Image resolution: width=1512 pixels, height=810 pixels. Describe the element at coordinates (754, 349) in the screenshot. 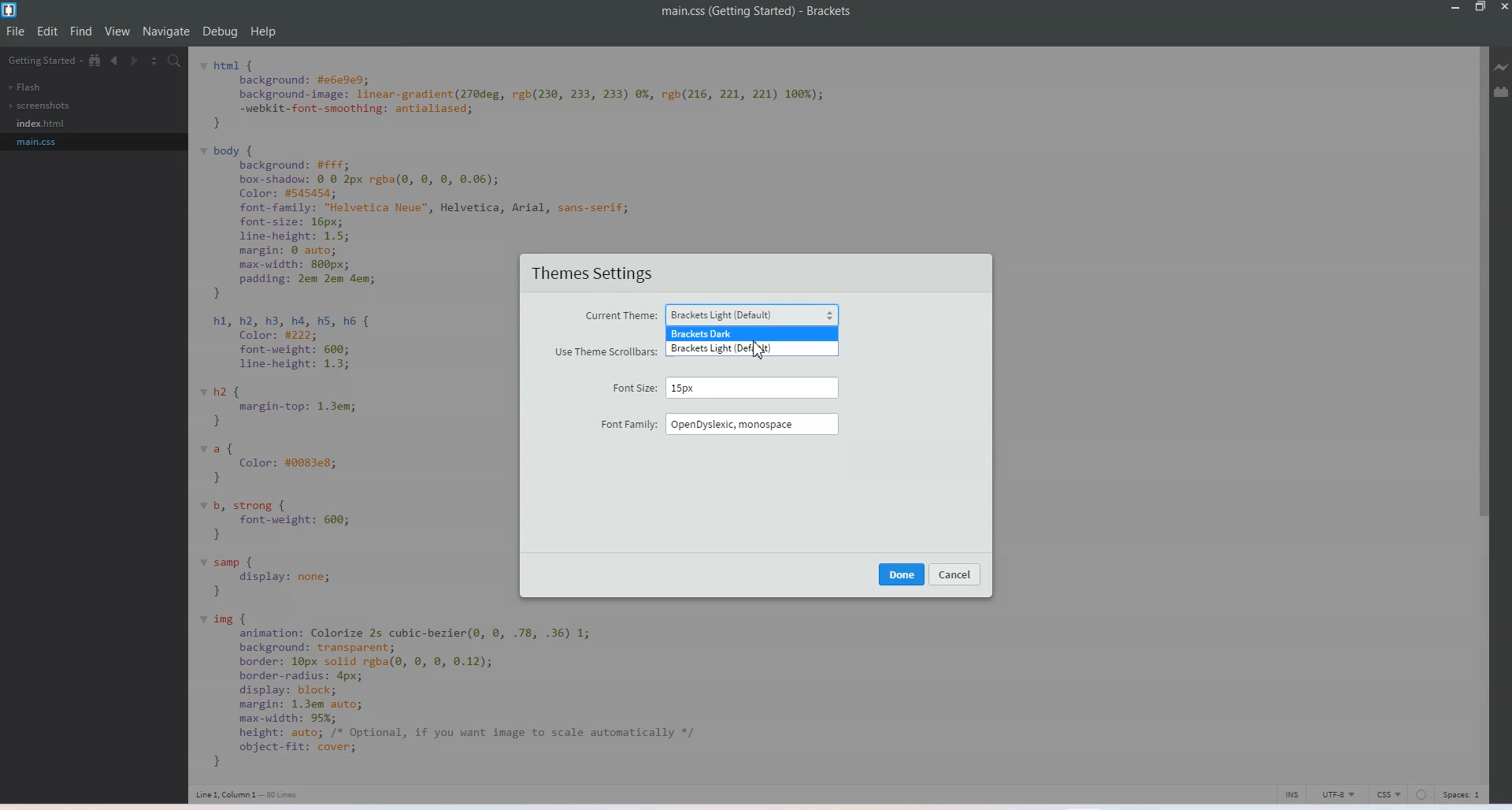

I see `Business light default` at that location.